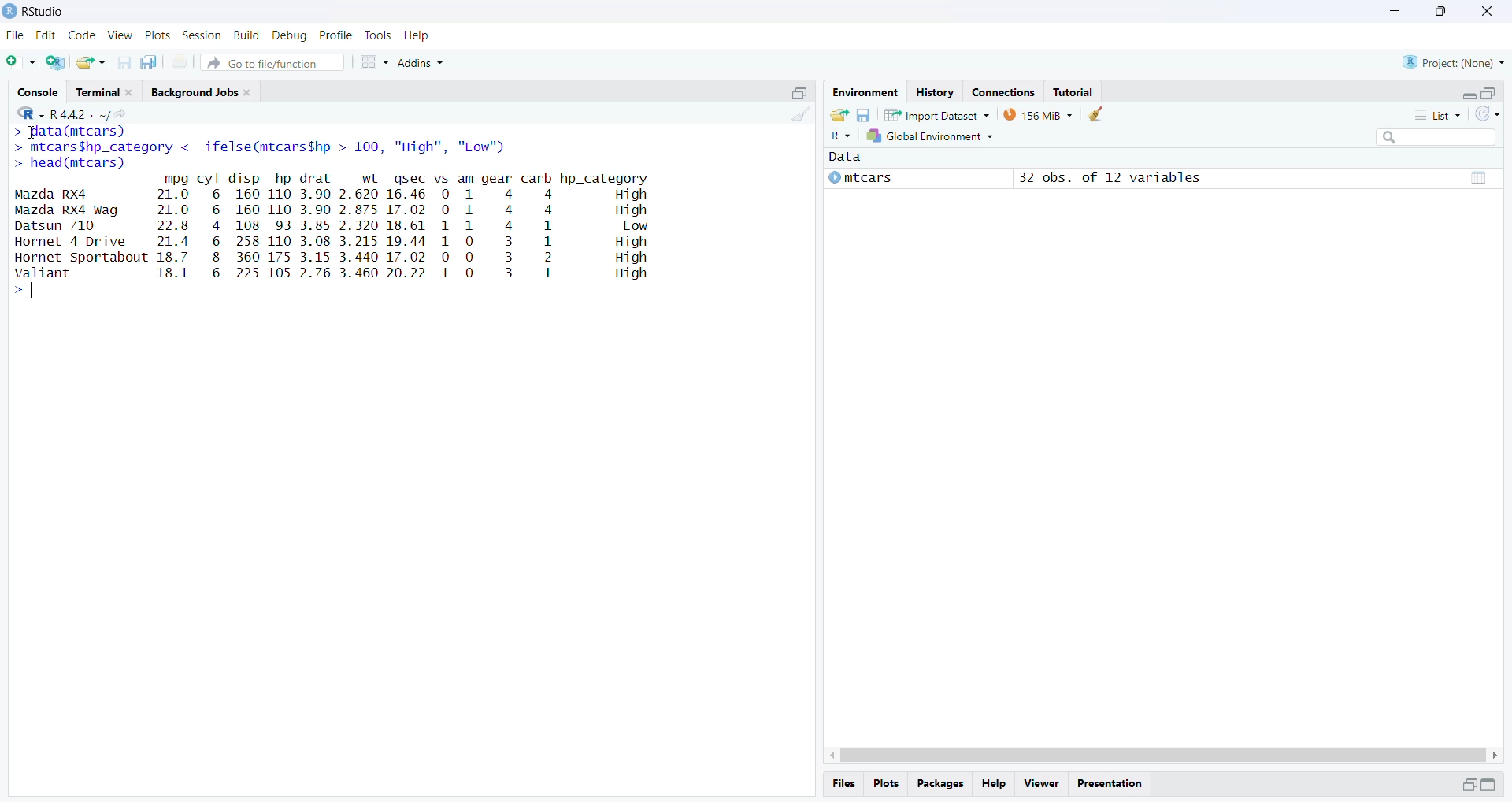 The width and height of the screenshot is (1512, 802). Describe the element at coordinates (204, 92) in the screenshot. I see `Background Jobs` at that location.